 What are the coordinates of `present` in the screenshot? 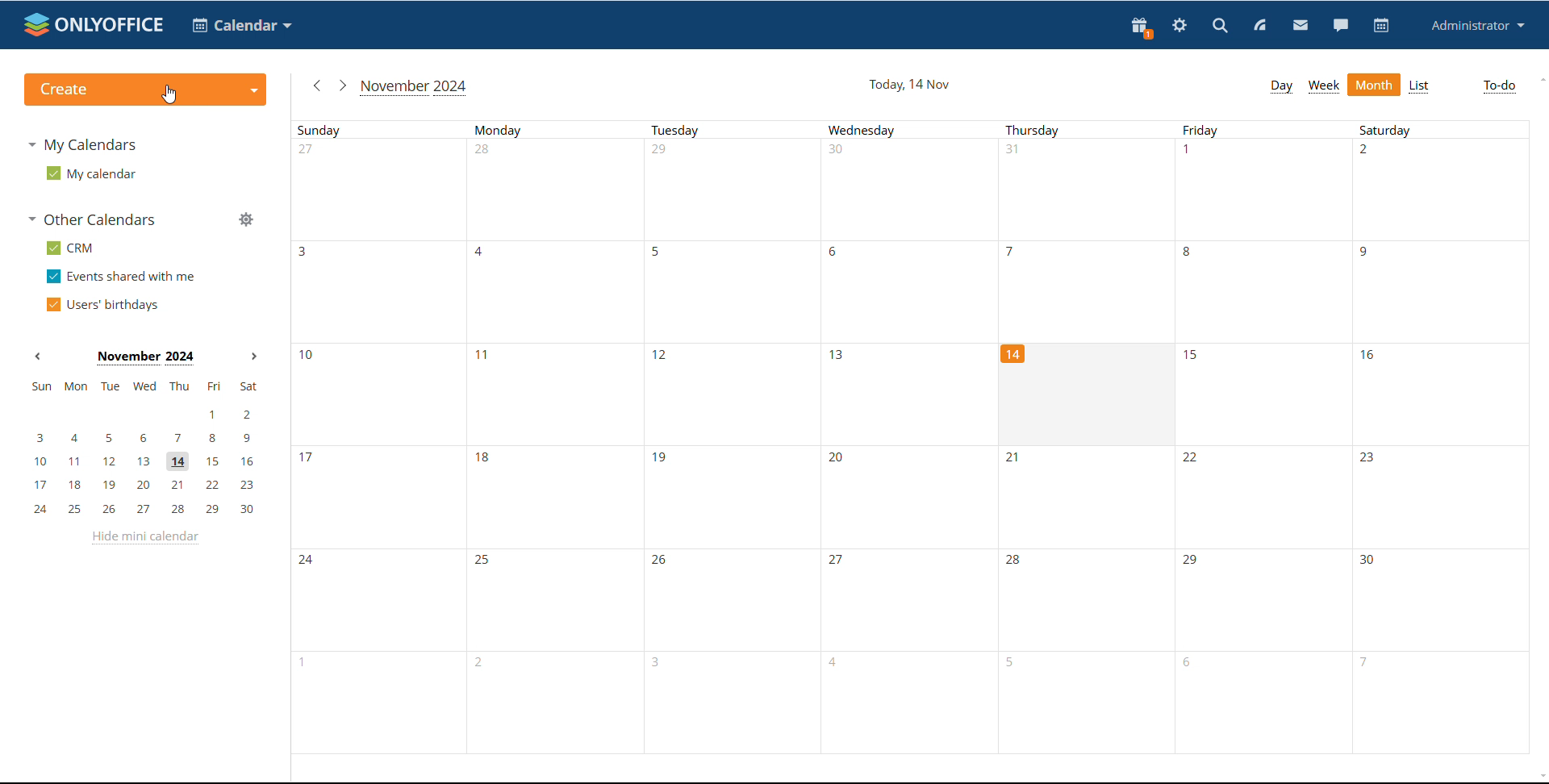 It's located at (1140, 27).